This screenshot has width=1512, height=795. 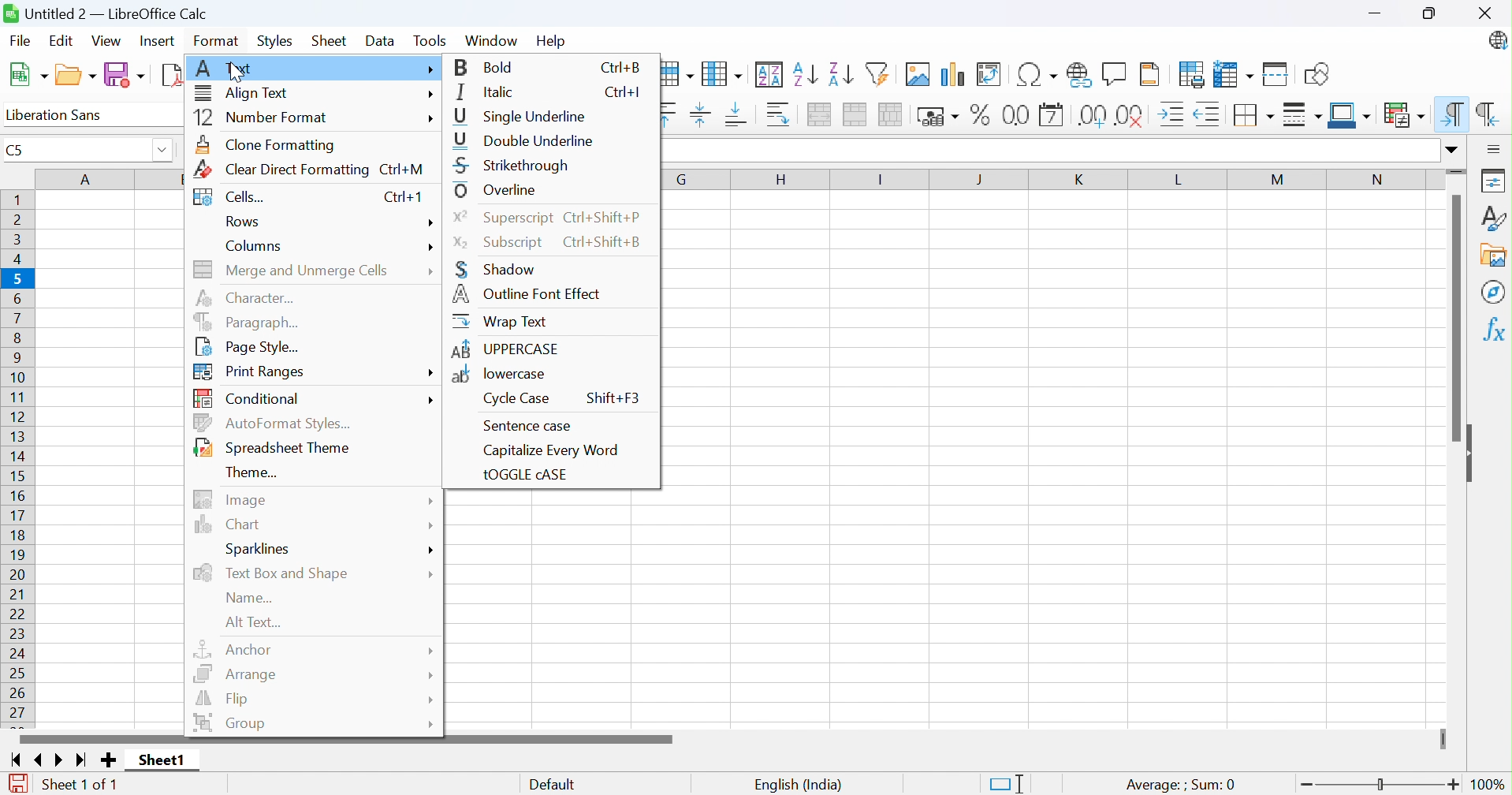 What do you see at coordinates (379, 41) in the screenshot?
I see `Data` at bounding box center [379, 41].